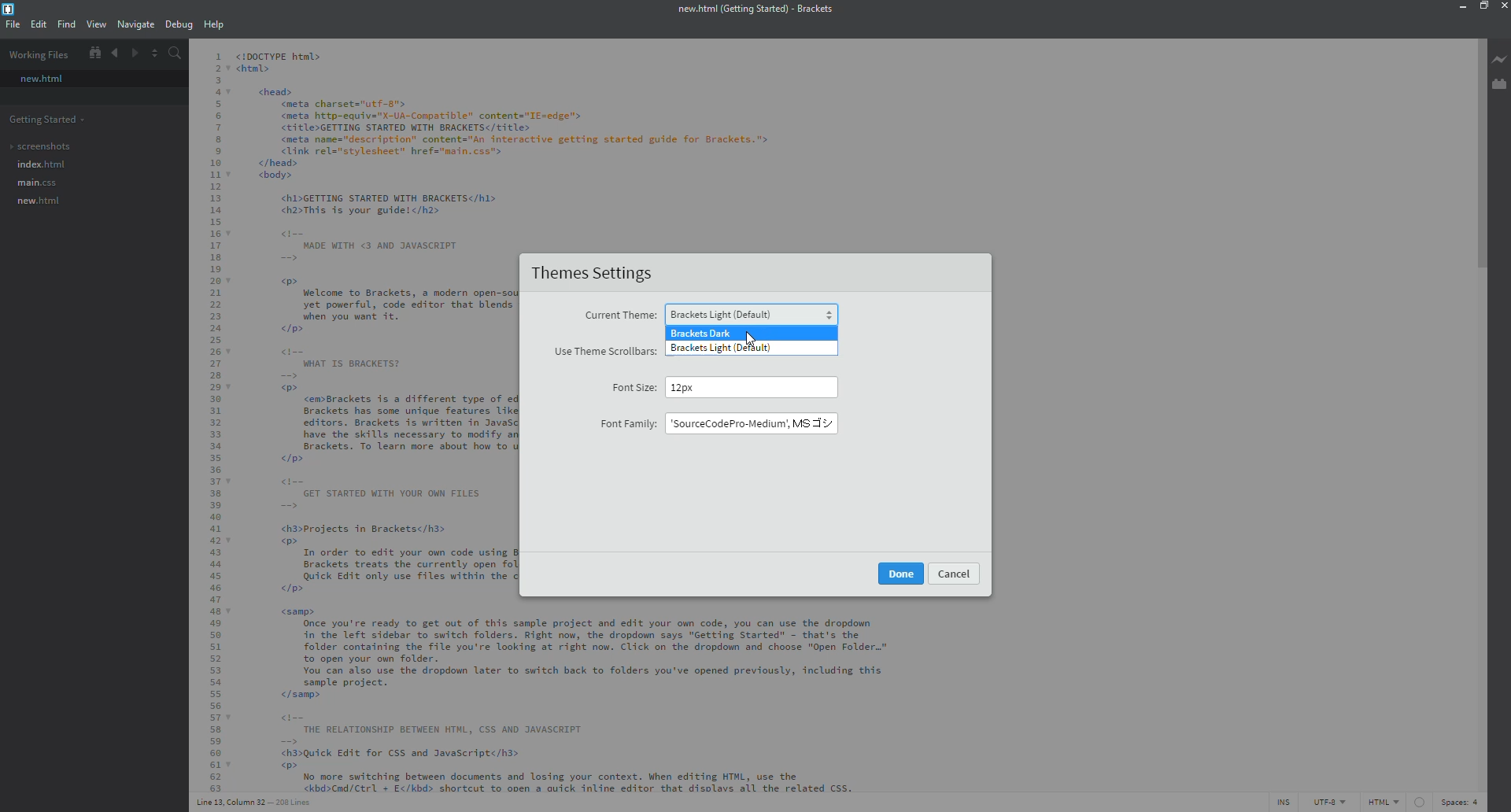  Describe the element at coordinates (1397, 802) in the screenshot. I see `html` at that location.